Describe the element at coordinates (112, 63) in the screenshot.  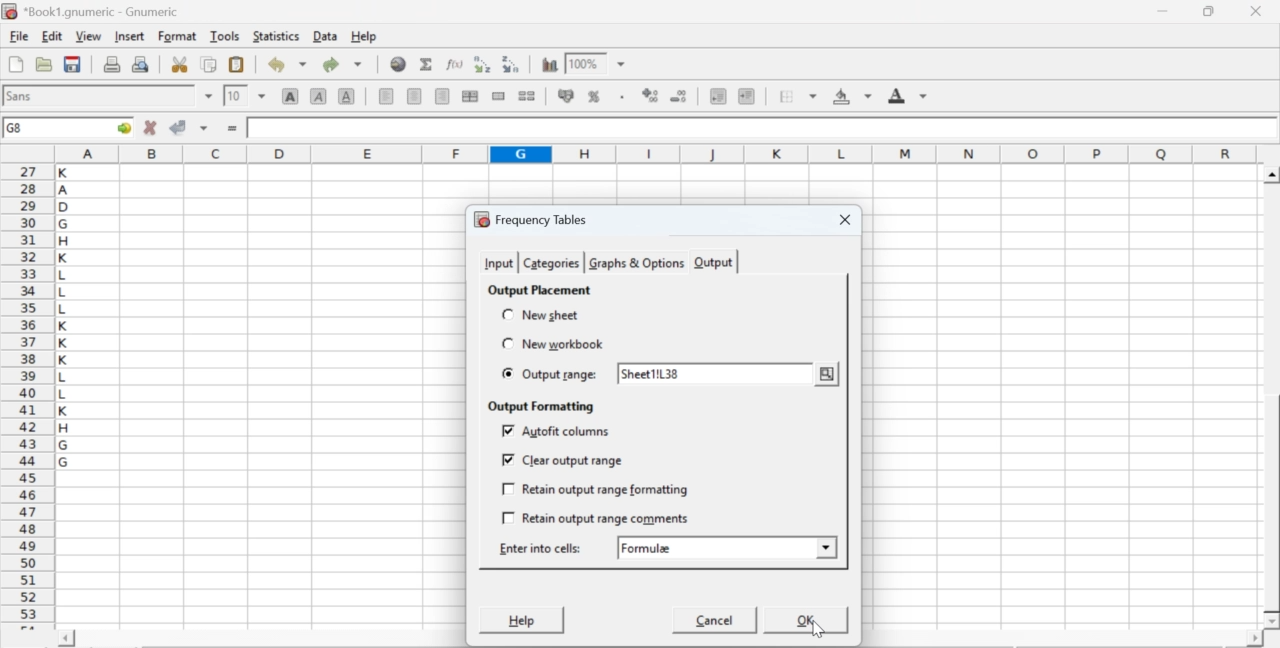
I see `print` at that location.